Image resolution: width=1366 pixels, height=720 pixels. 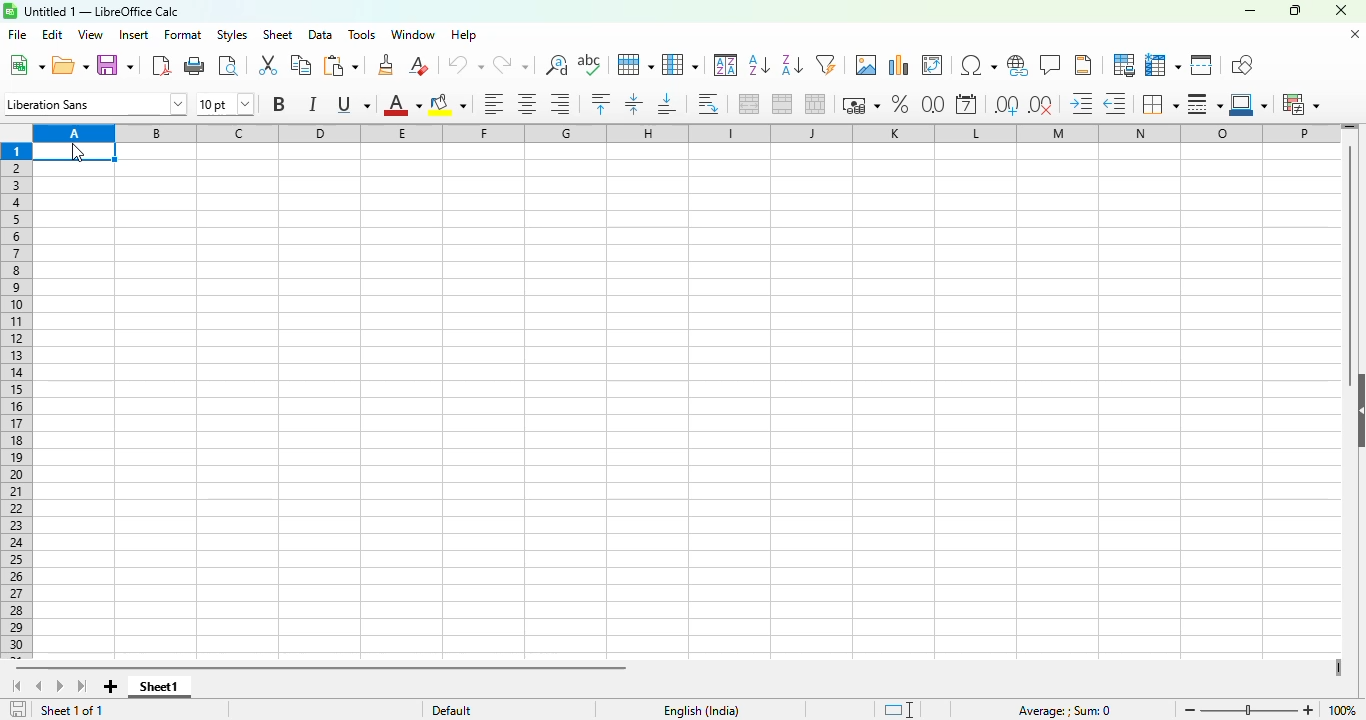 What do you see at coordinates (1250, 105) in the screenshot?
I see `border color` at bounding box center [1250, 105].